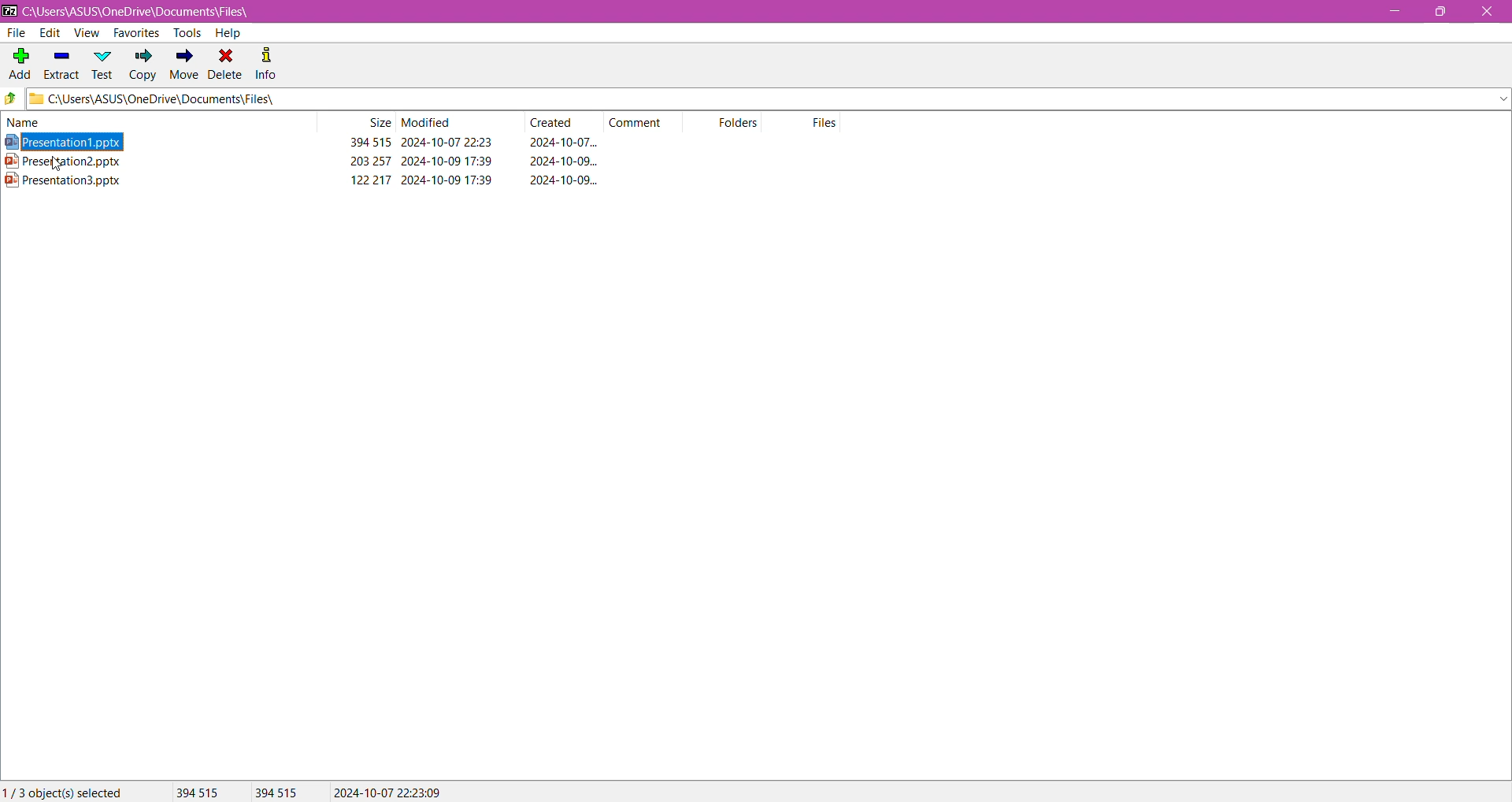  I want to click on C:\Users\ASUS\OneDrive\Documents\Files\, so click(150, 12).